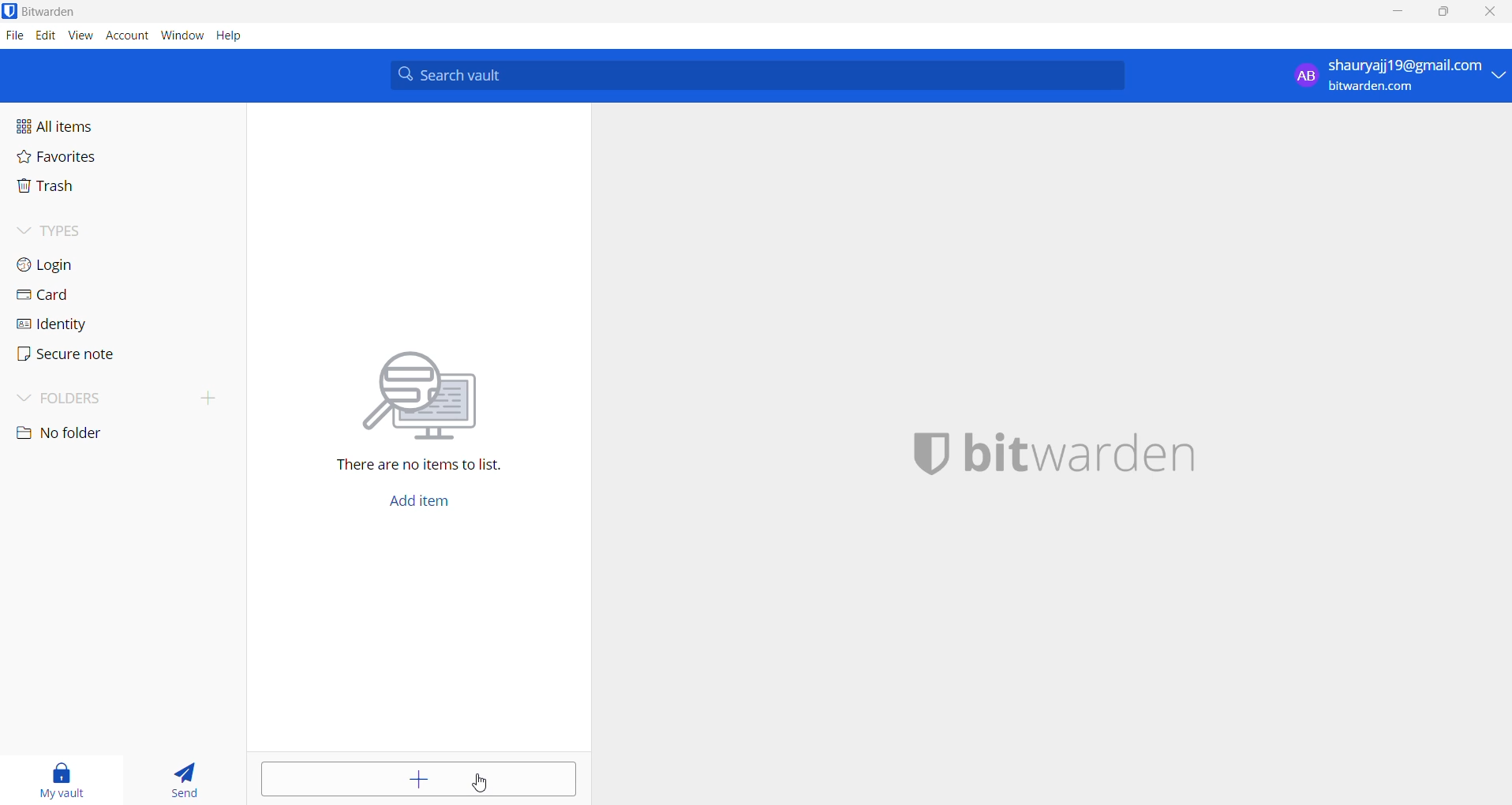 The height and width of the screenshot is (805, 1512). Describe the element at coordinates (230, 36) in the screenshot. I see `help` at that location.